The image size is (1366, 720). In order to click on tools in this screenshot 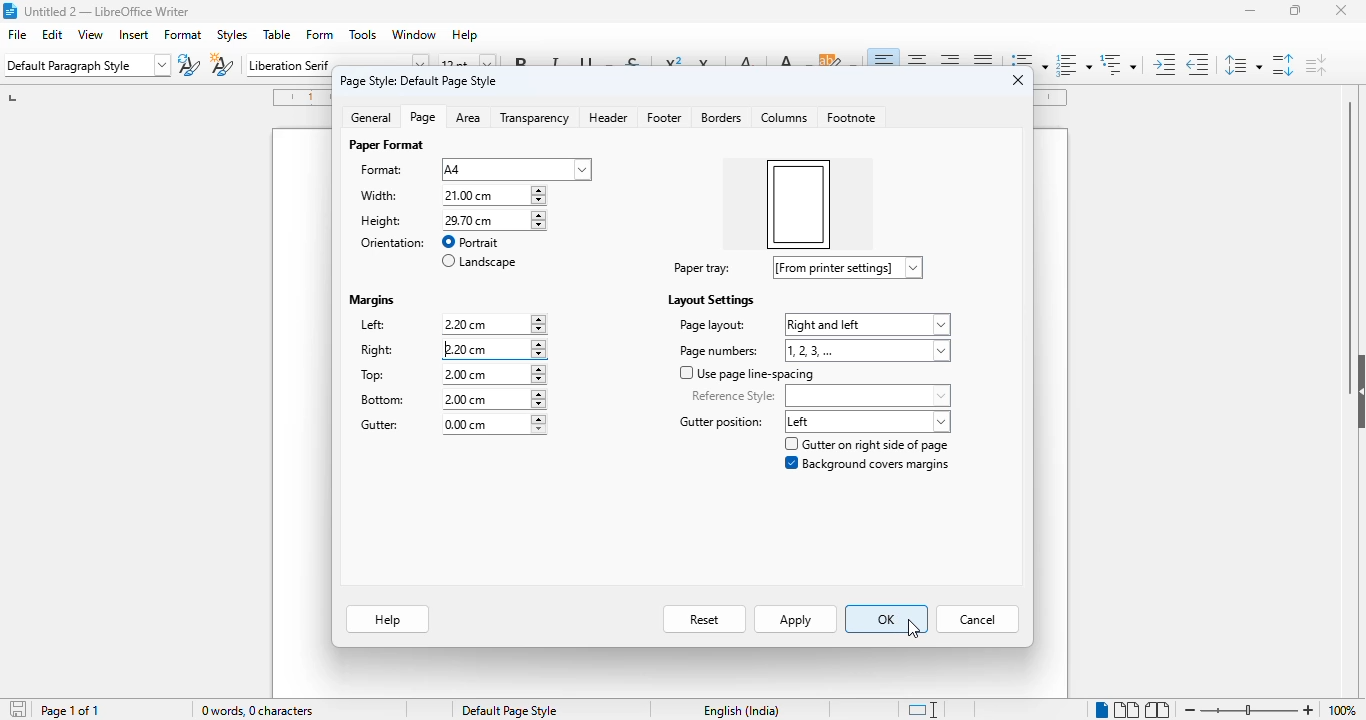, I will do `click(363, 34)`.